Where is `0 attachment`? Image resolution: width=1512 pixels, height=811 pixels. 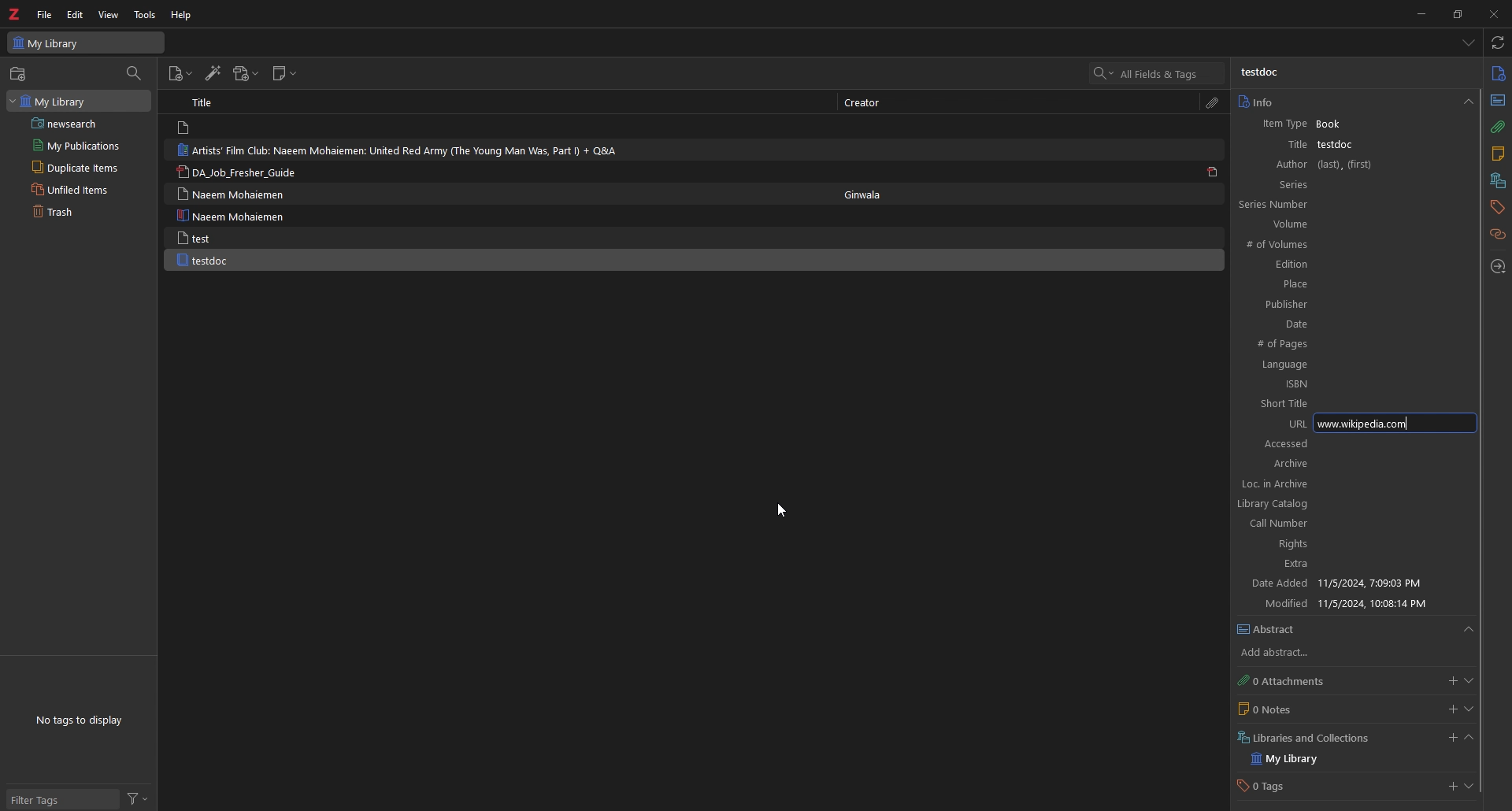
0 attachment is located at coordinates (1288, 682).